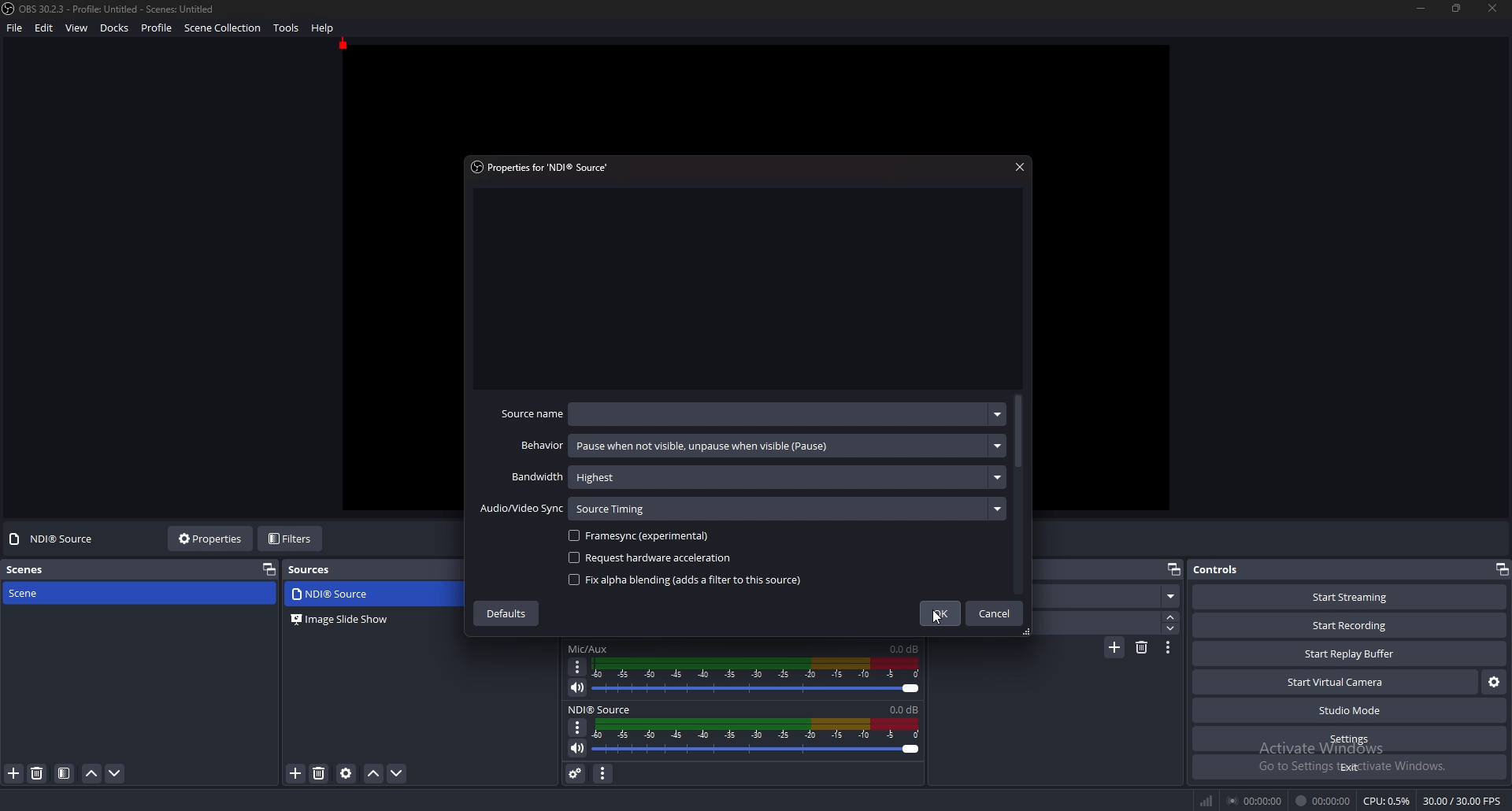  Describe the element at coordinates (906, 648) in the screenshot. I see `volume level` at that location.